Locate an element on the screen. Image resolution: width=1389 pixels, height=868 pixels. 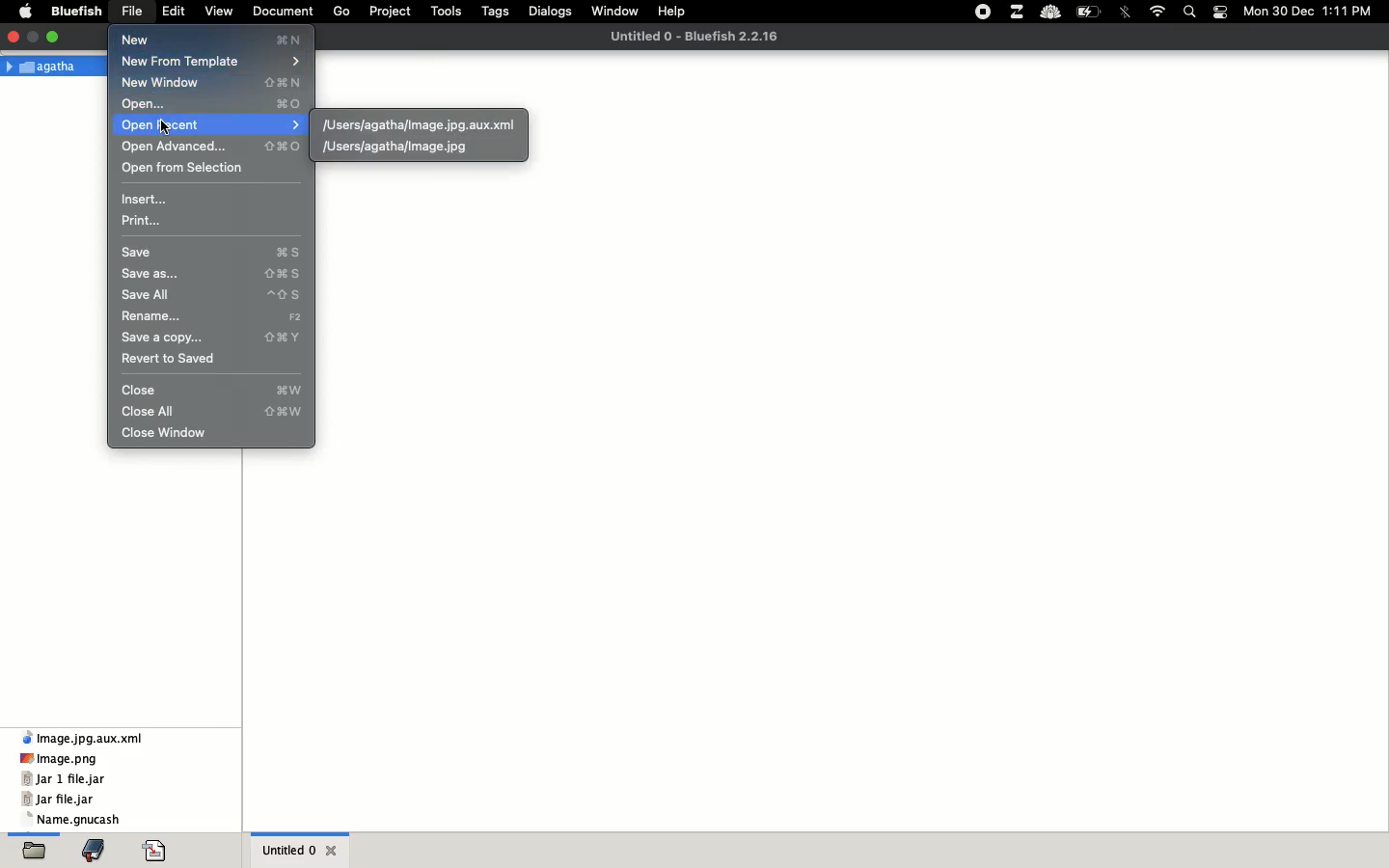
save    command S is located at coordinates (214, 255).